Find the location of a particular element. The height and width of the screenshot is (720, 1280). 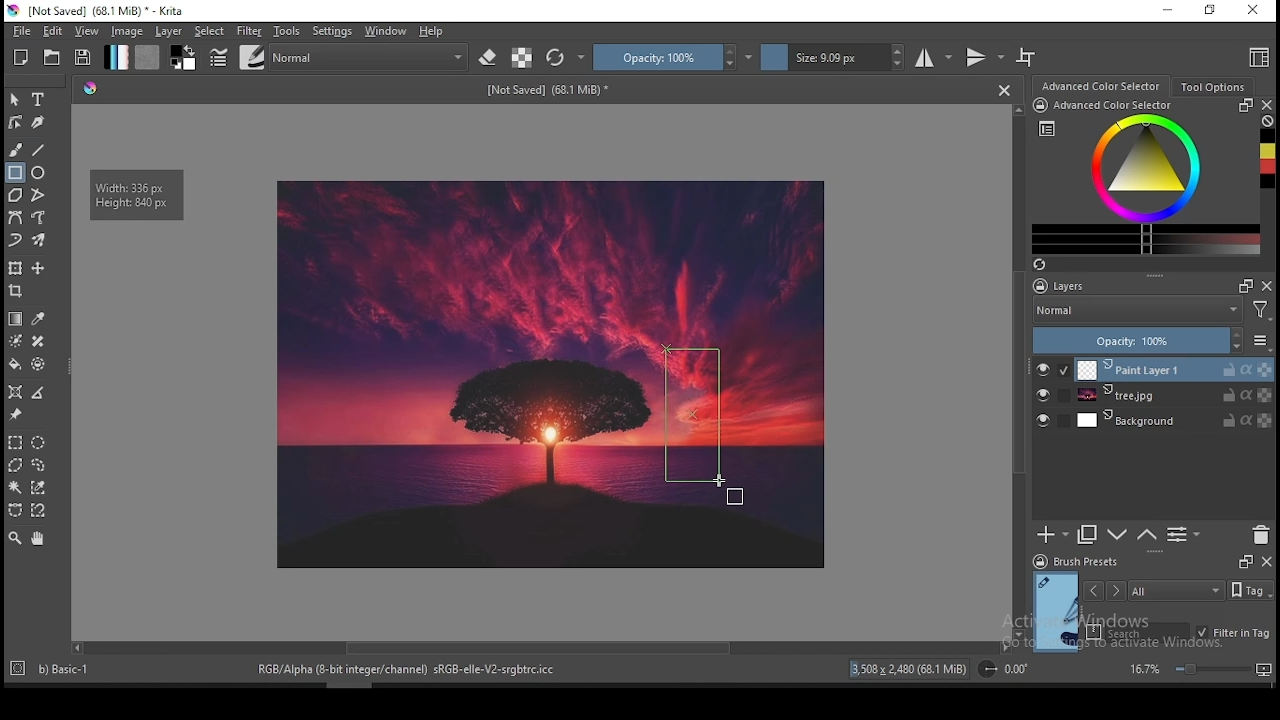

opacity is located at coordinates (673, 57).